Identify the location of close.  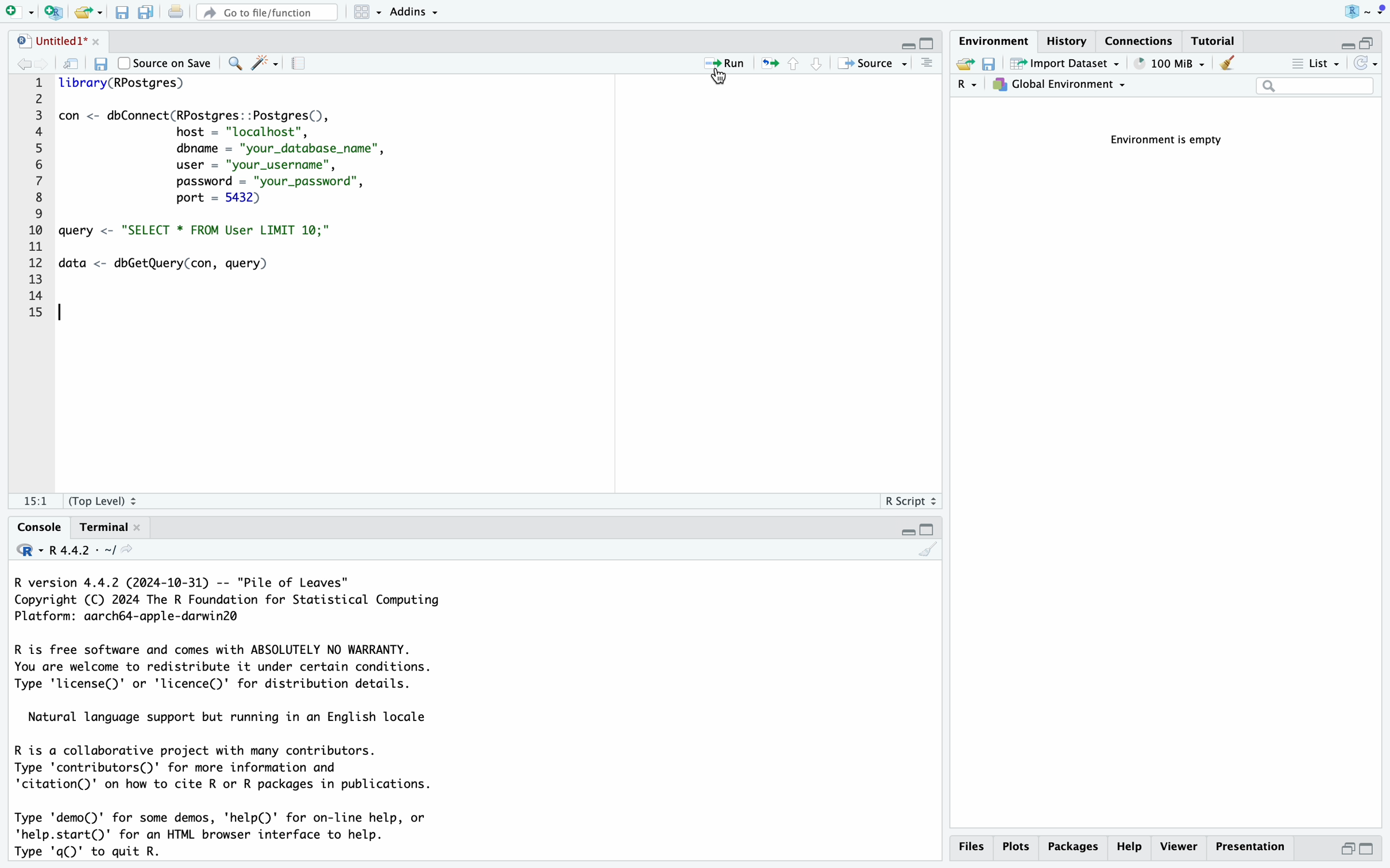
(146, 527).